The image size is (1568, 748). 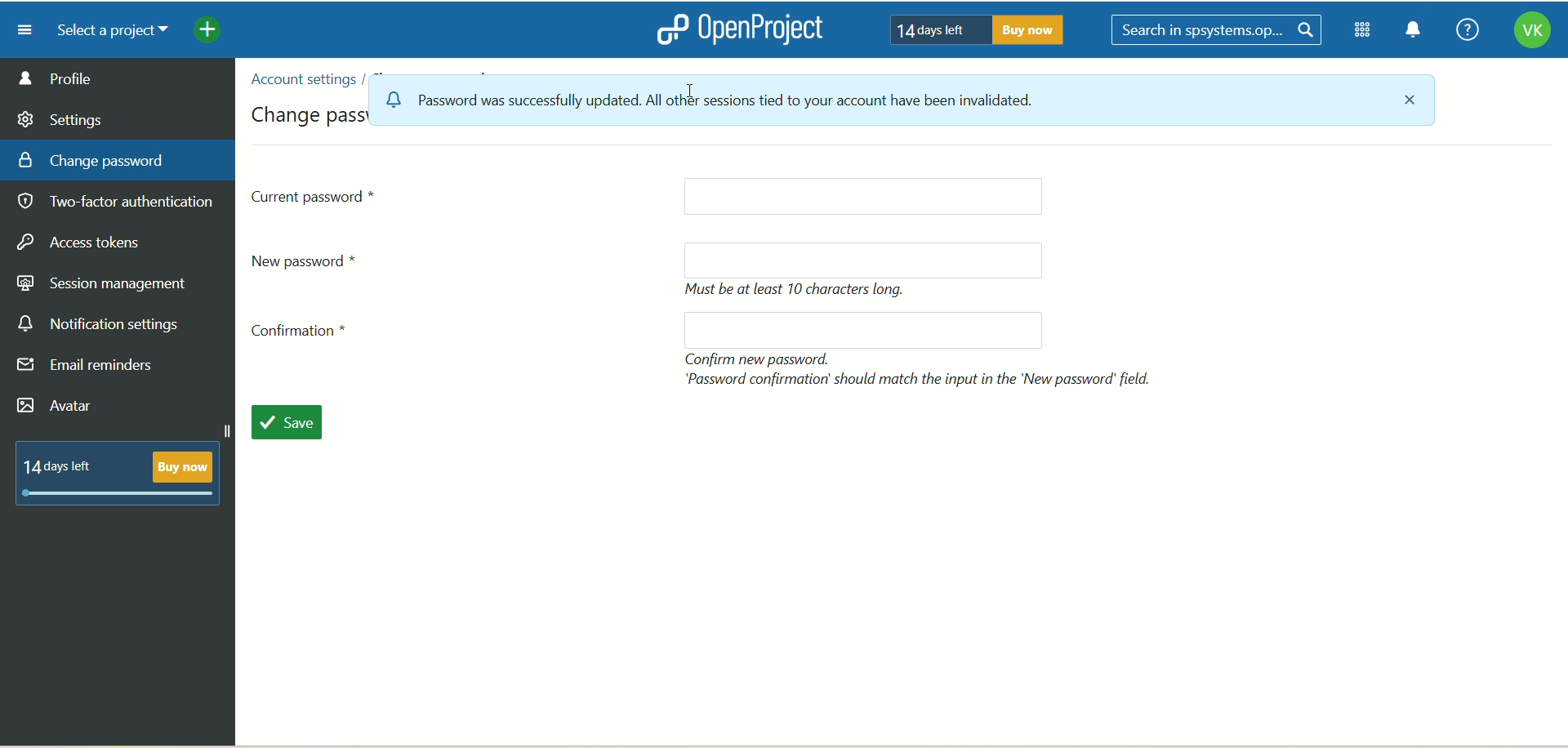 What do you see at coordinates (315, 195) in the screenshot?
I see `current password` at bounding box center [315, 195].